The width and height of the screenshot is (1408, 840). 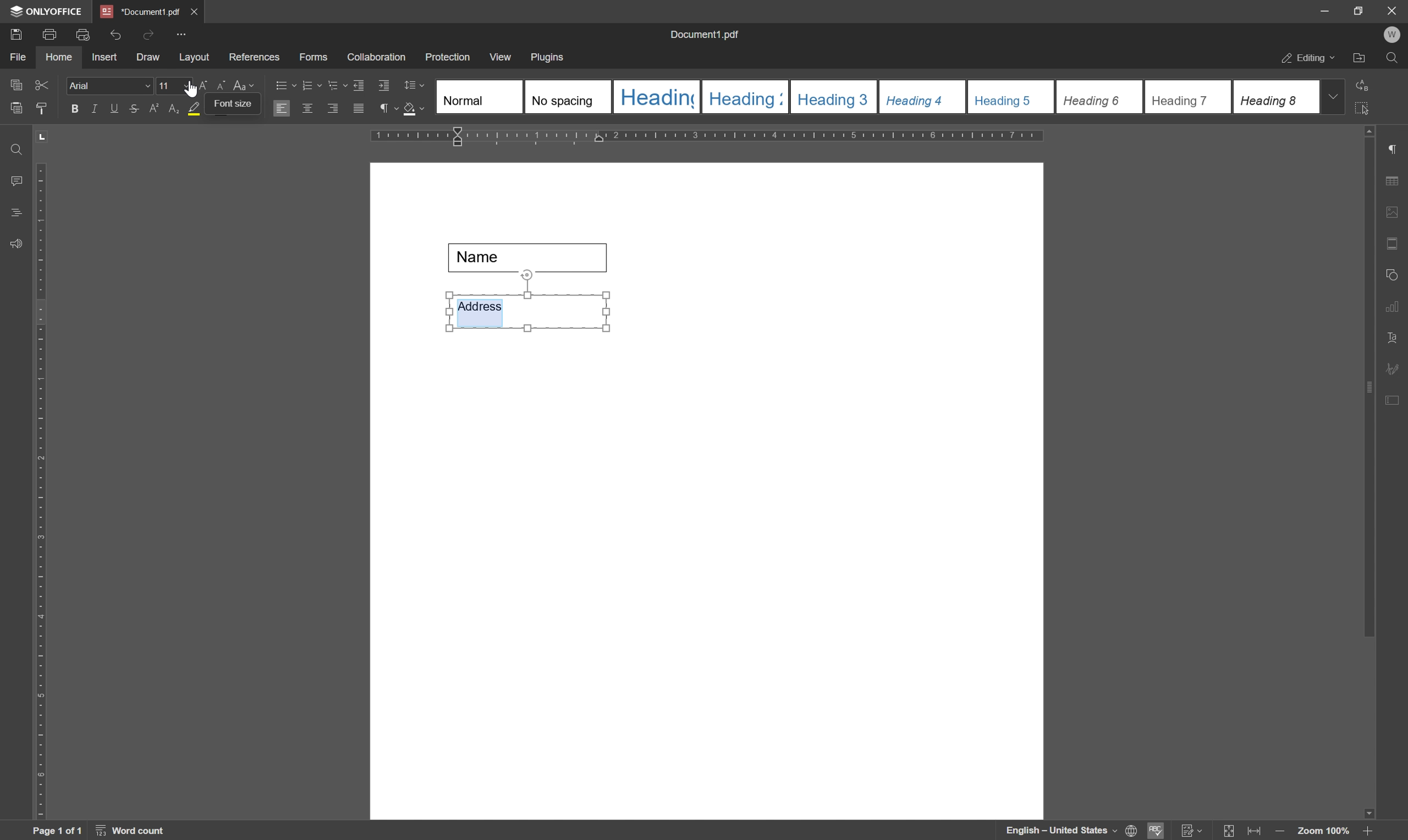 What do you see at coordinates (448, 57) in the screenshot?
I see `protection` at bounding box center [448, 57].